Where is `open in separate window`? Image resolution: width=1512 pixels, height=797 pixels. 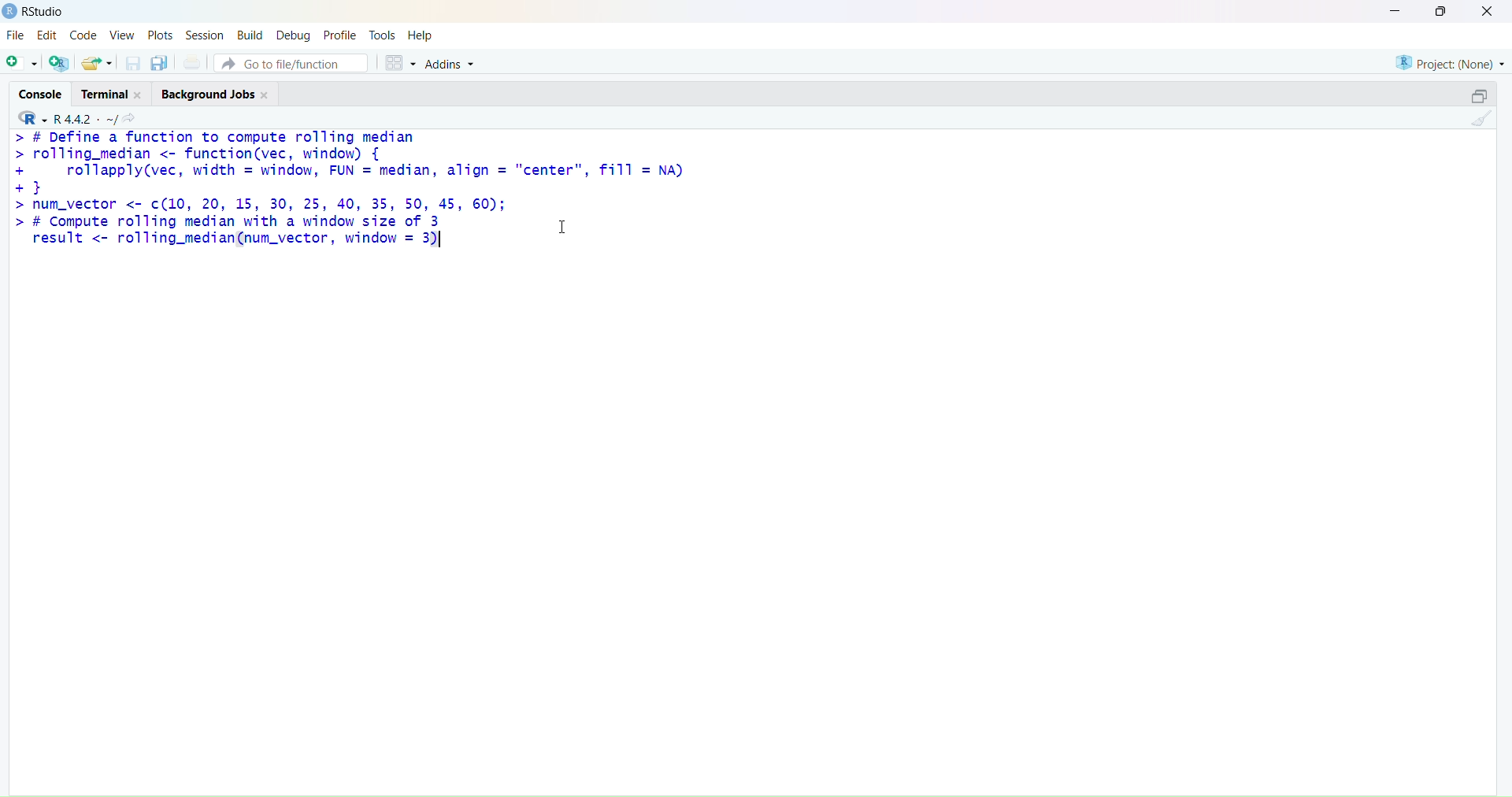
open in separate window is located at coordinates (1479, 96).